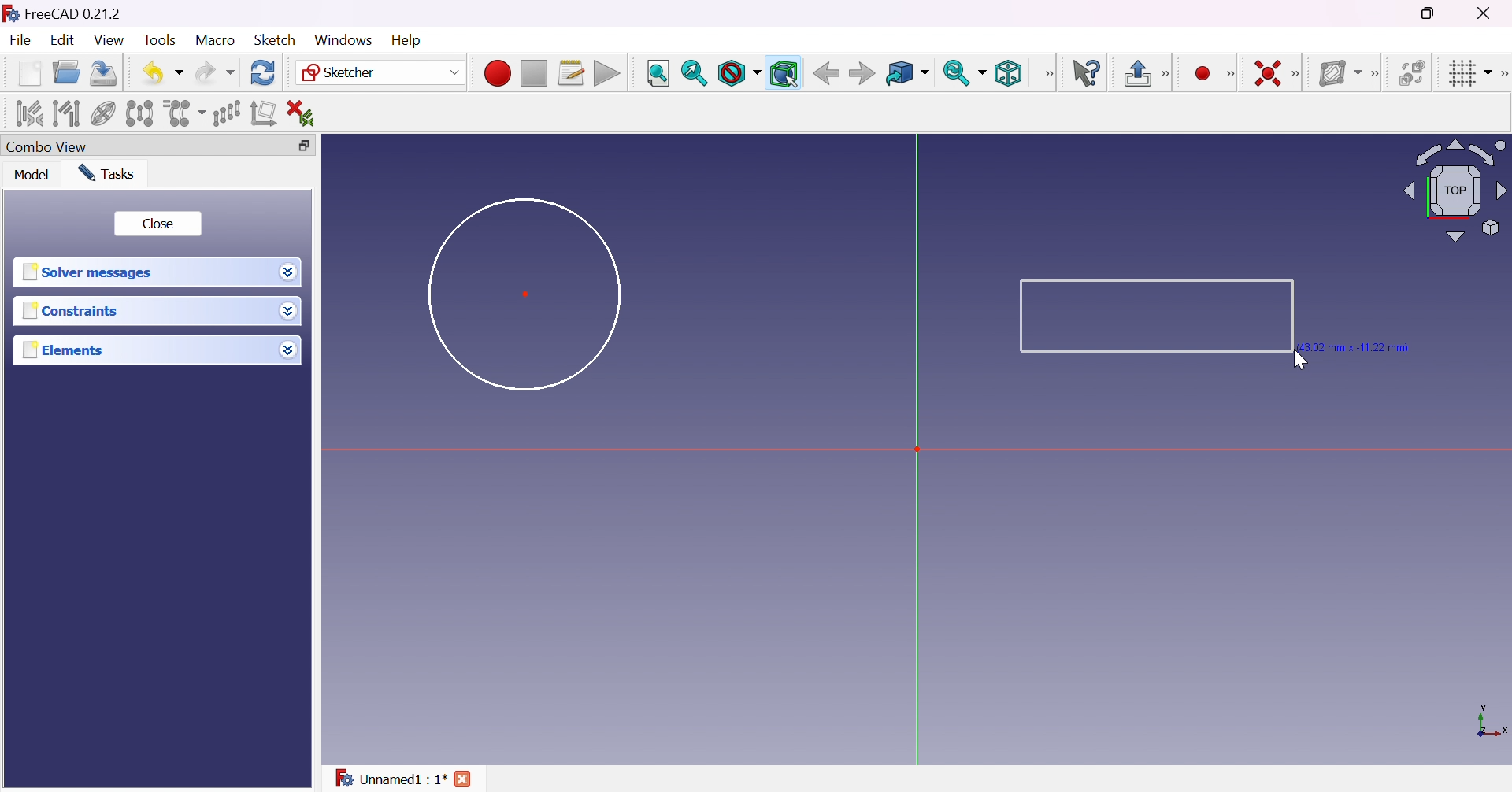 This screenshot has height=792, width=1512. I want to click on Execute macro, so click(607, 76).